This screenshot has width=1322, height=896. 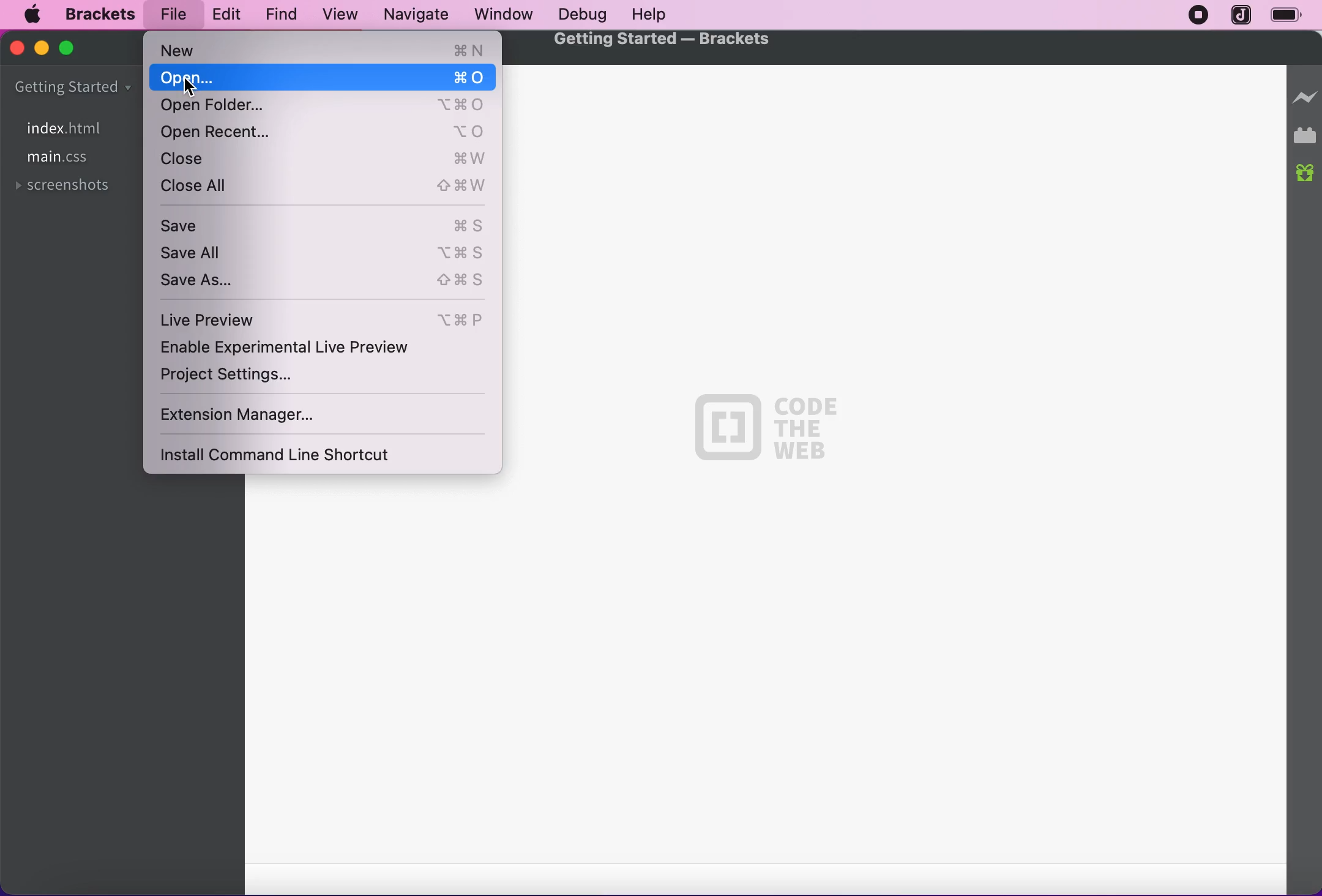 I want to click on debug, so click(x=578, y=15).